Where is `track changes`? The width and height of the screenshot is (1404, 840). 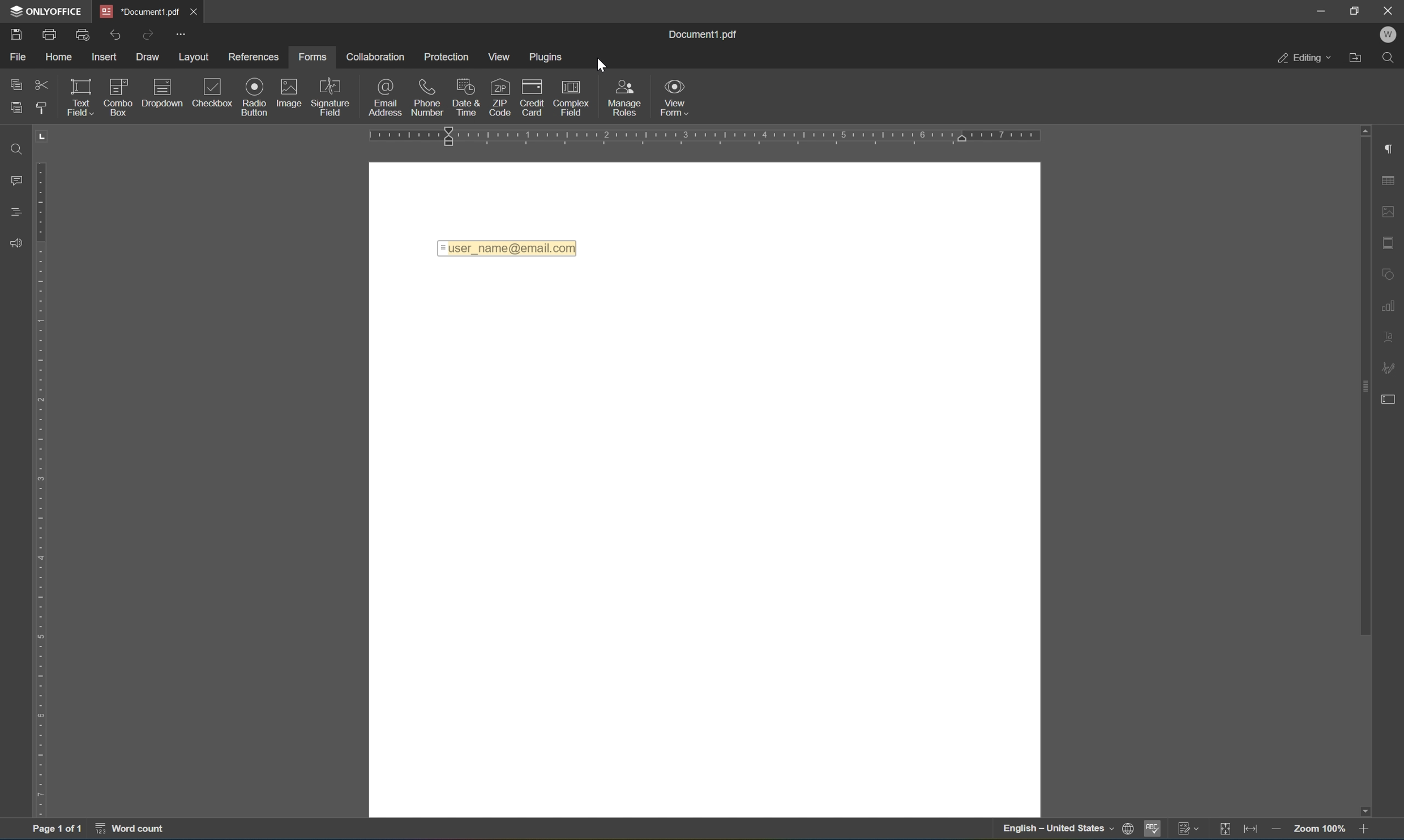
track changes is located at coordinates (1188, 828).